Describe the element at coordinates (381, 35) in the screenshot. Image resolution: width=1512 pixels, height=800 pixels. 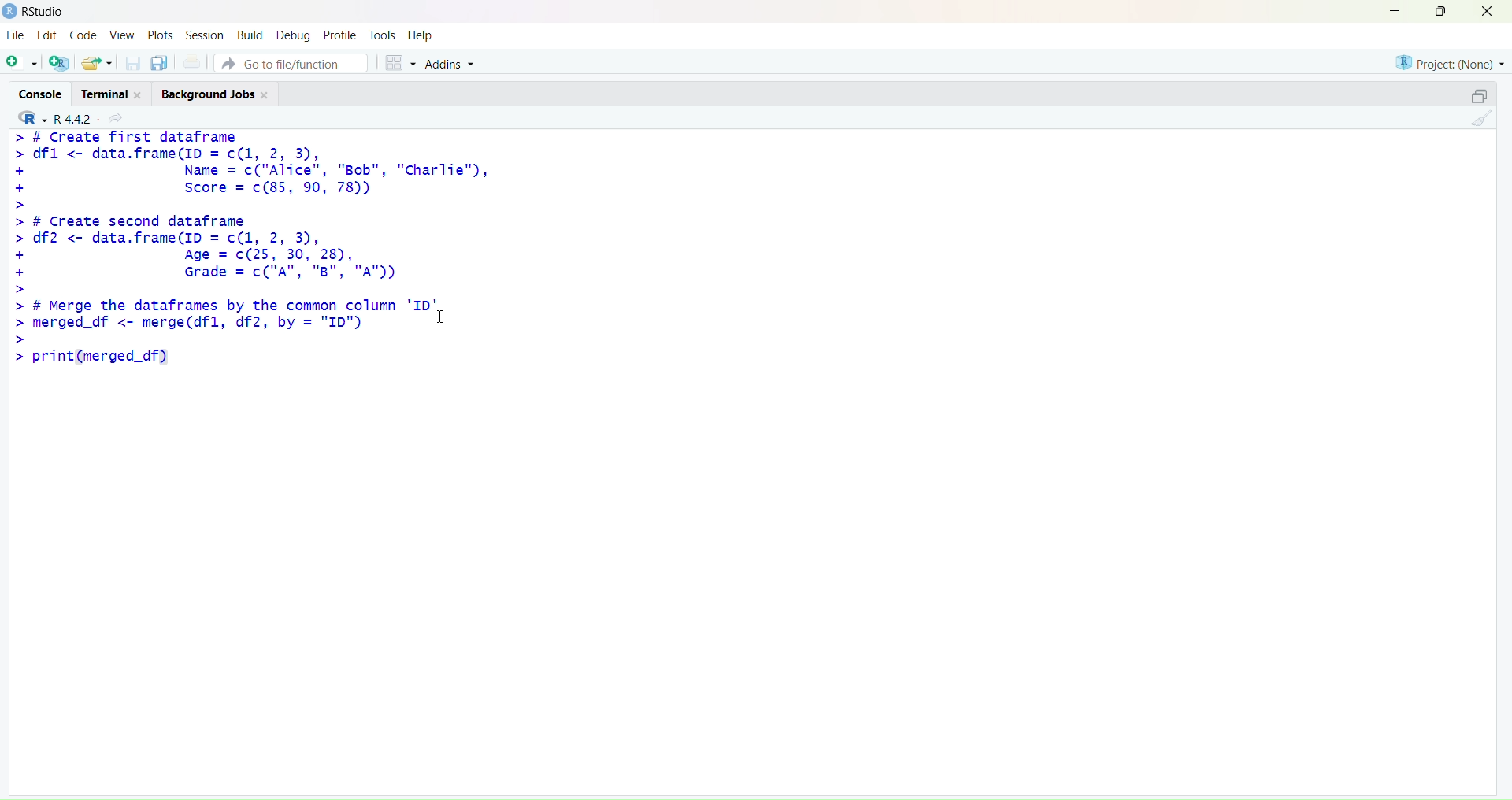
I see `Tools` at that location.